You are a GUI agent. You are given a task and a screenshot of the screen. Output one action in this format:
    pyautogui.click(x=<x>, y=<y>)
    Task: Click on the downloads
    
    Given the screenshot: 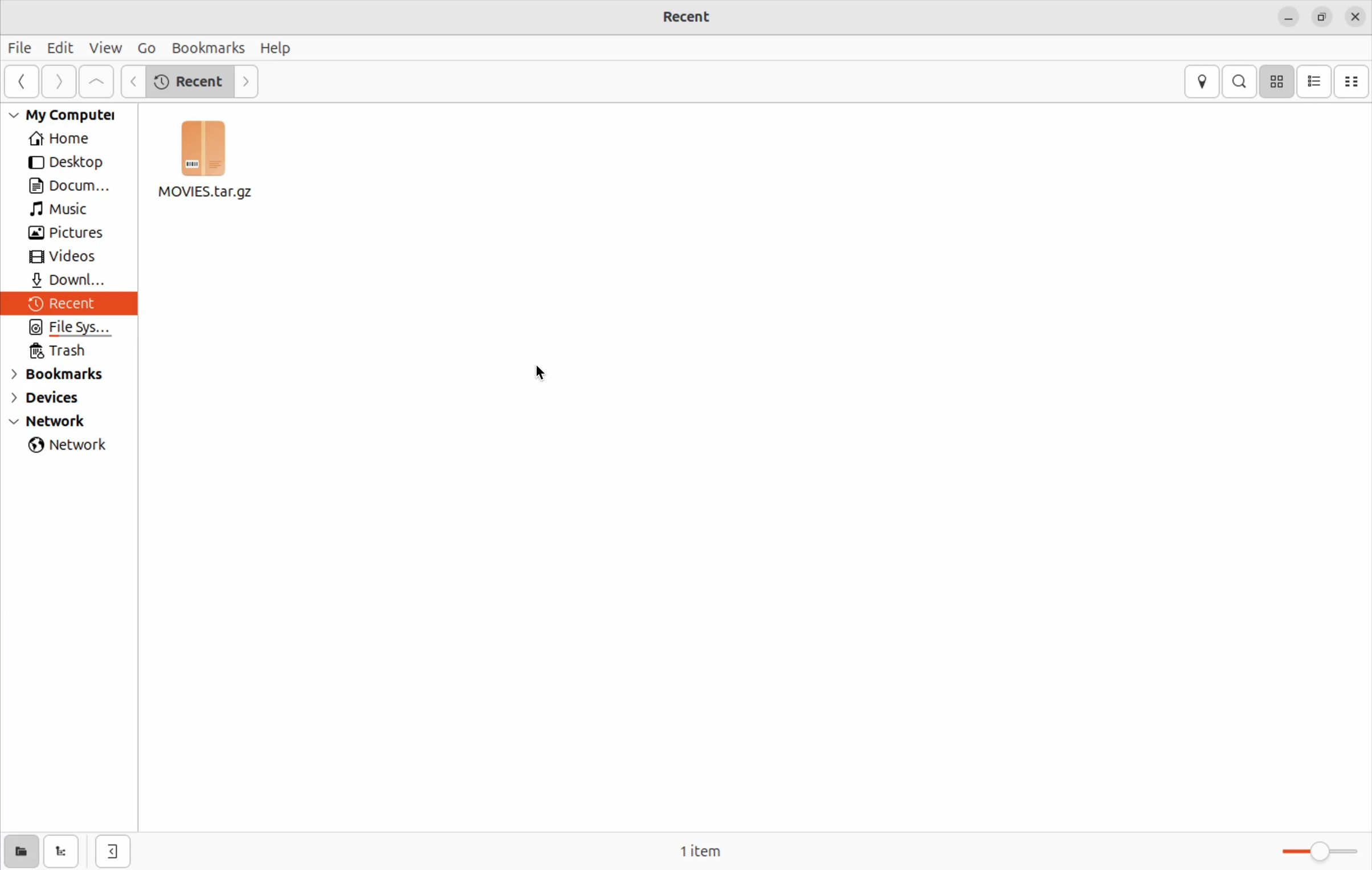 What is the action you would take?
    pyautogui.click(x=70, y=280)
    